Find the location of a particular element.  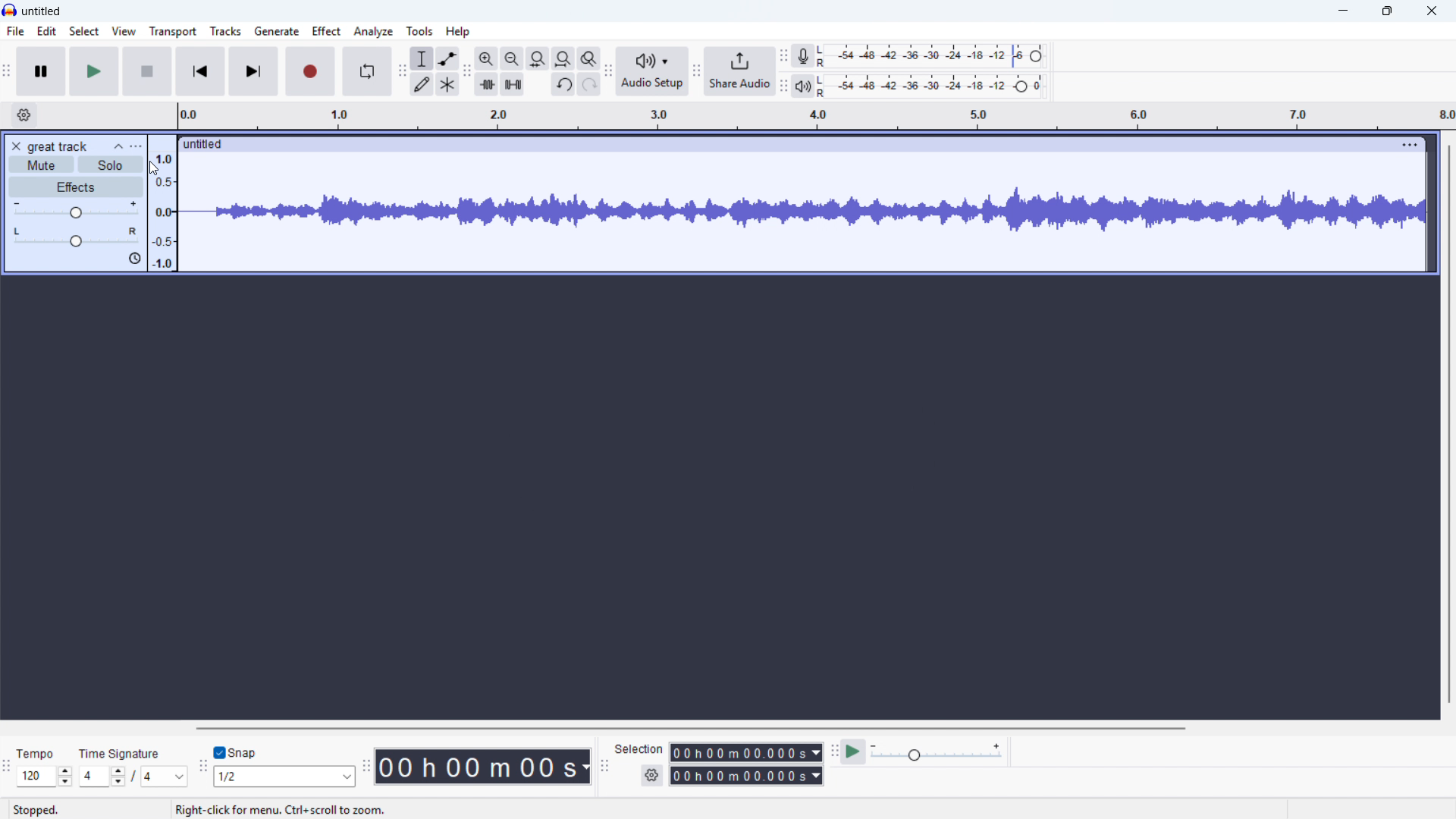

Recording metre toolbar  is located at coordinates (784, 56).